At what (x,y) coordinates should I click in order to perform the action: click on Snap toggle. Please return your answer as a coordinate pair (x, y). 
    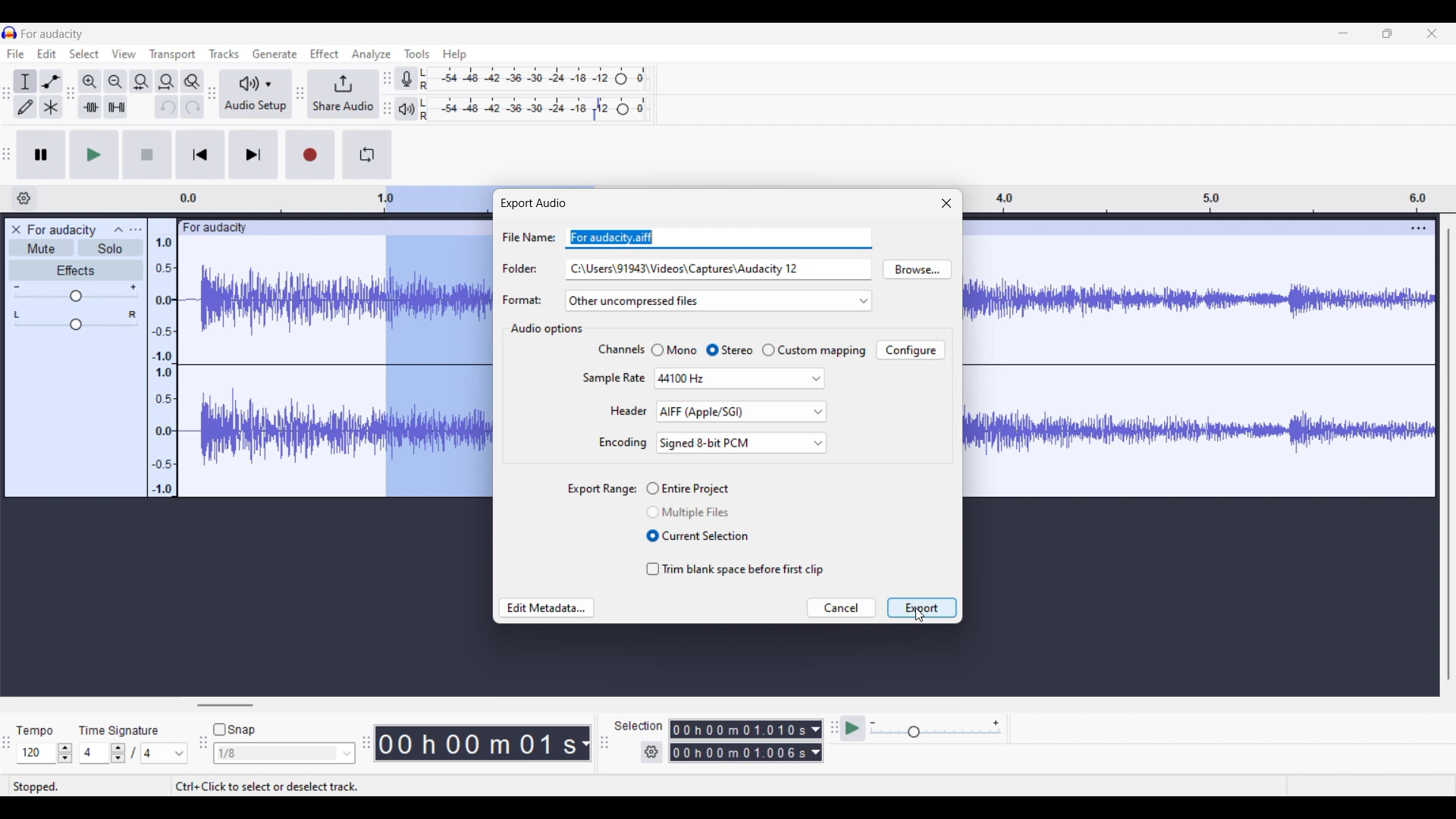
    Looking at the image, I should click on (234, 730).